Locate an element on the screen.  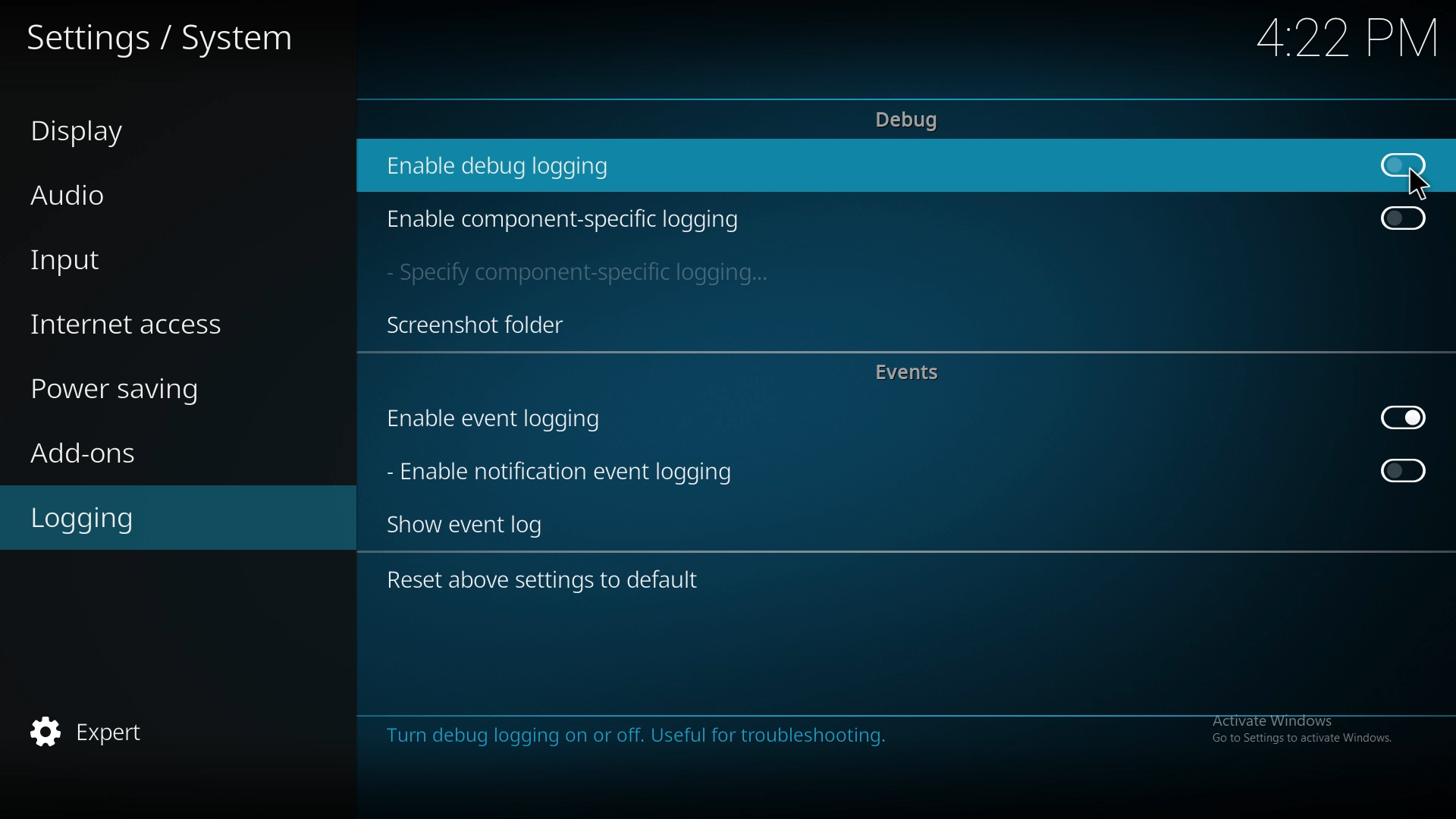
off is located at coordinates (1402, 219).